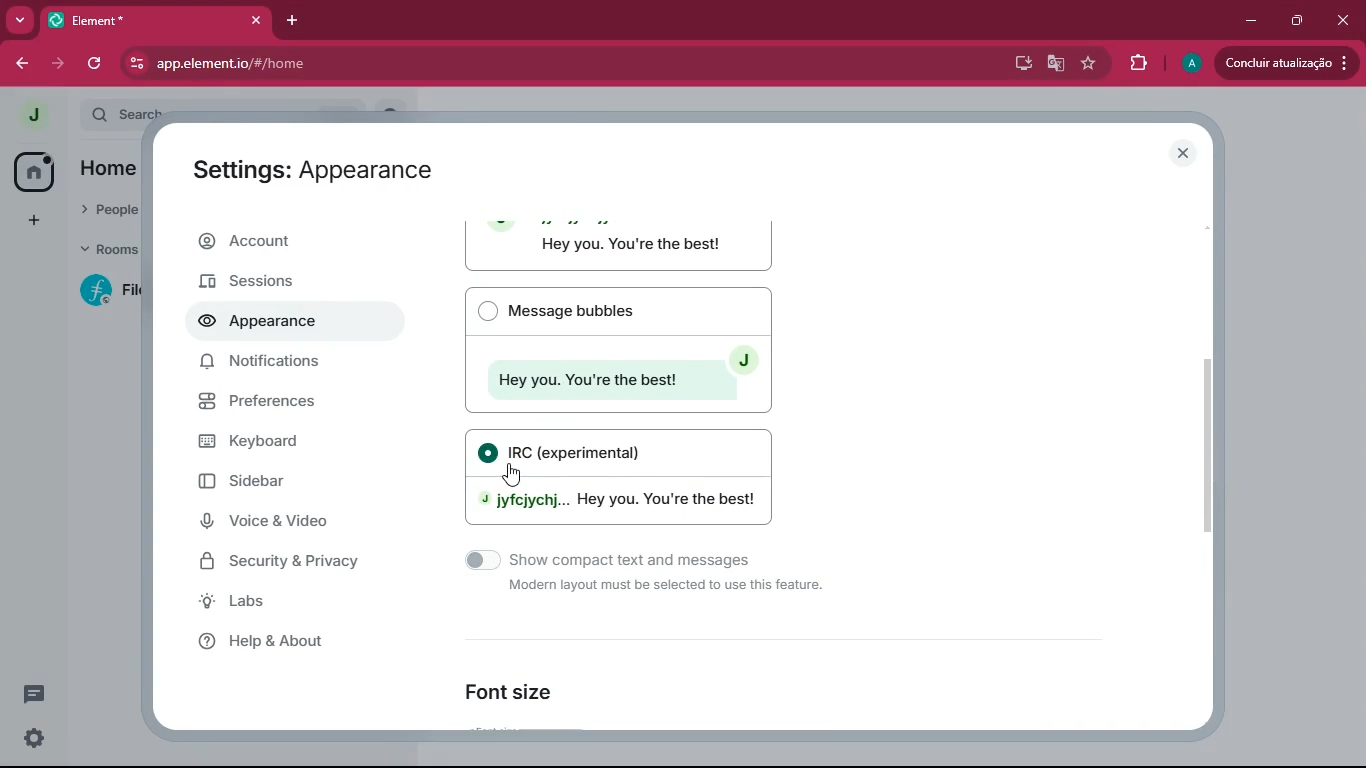  I want to click on security & privacy, so click(285, 560).